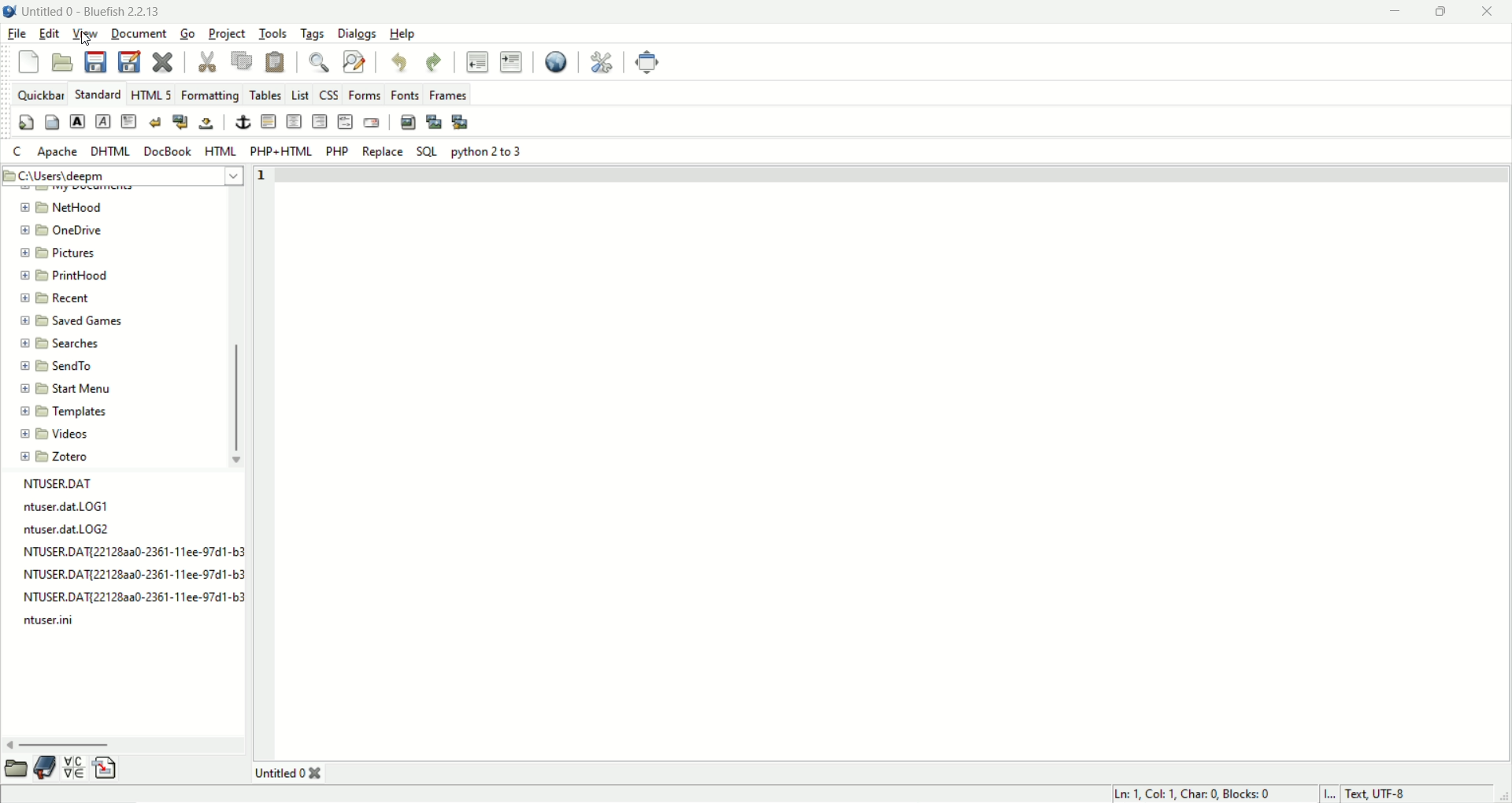 The image size is (1512, 803). I want to click on insert thumbnail, so click(434, 123).